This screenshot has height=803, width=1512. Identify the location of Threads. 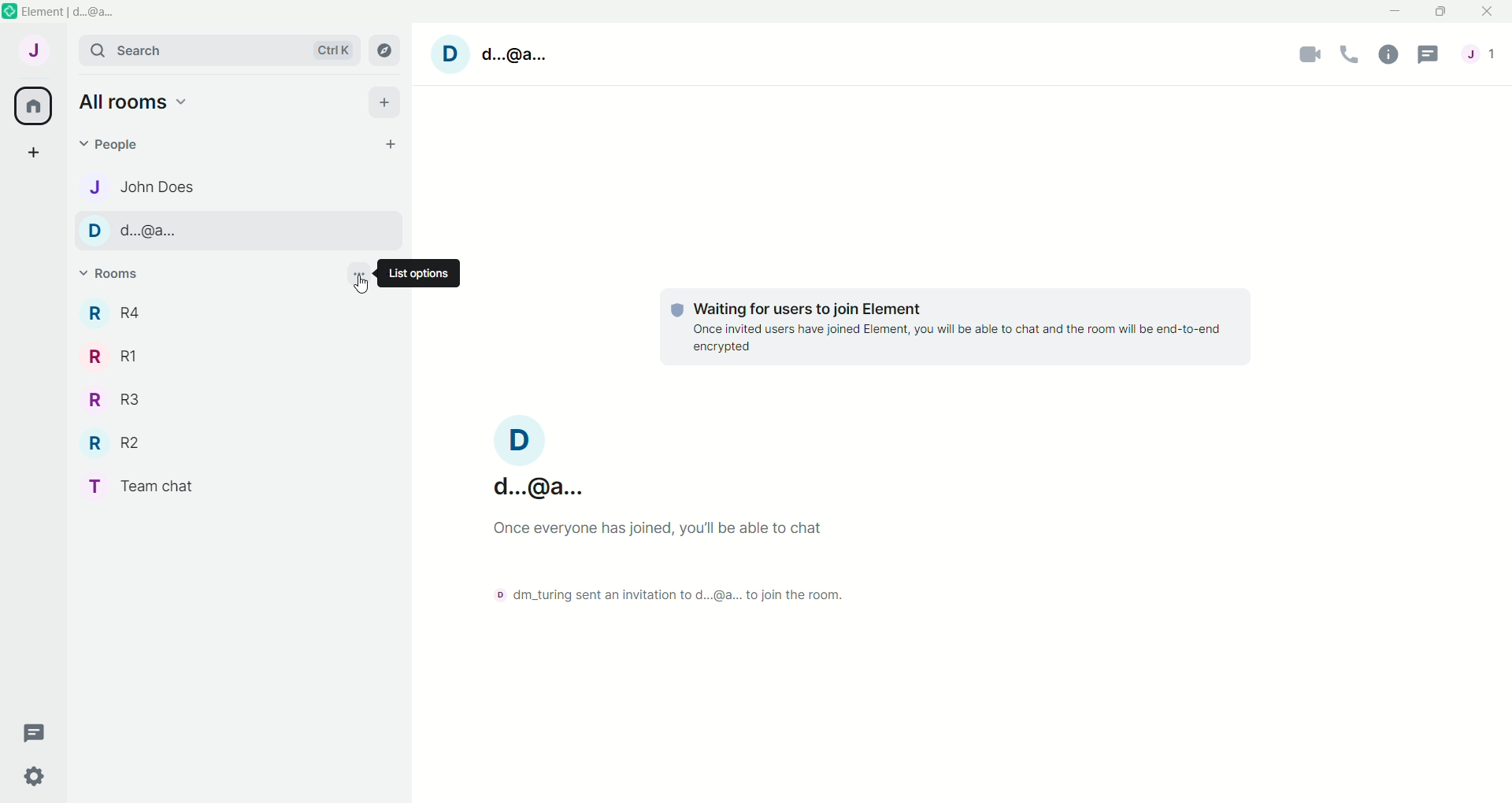
(1429, 54).